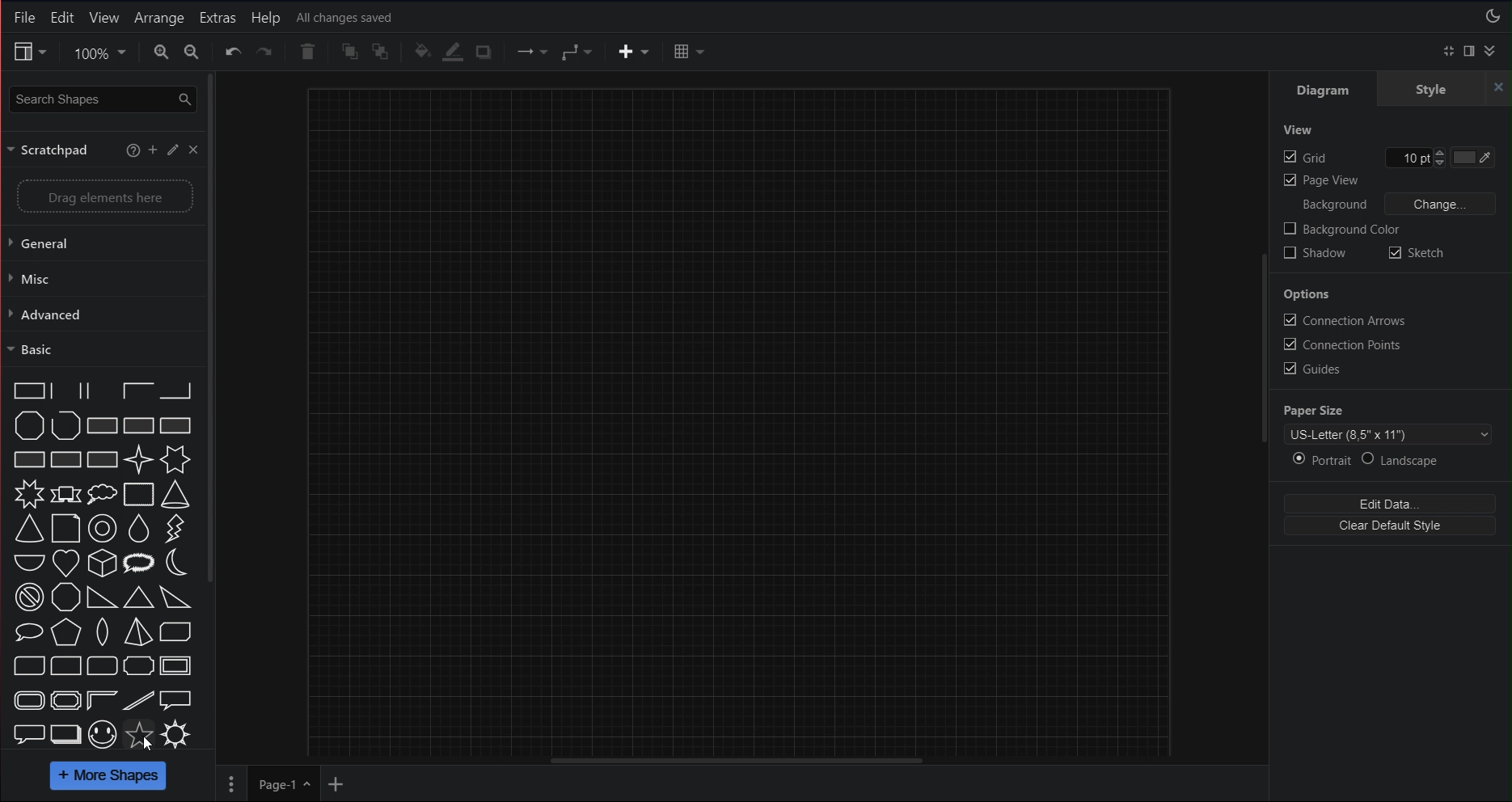 The image size is (1512, 802). What do you see at coordinates (1451, 51) in the screenshot?
I see `Full screen` at bounding box center [1451, 51].